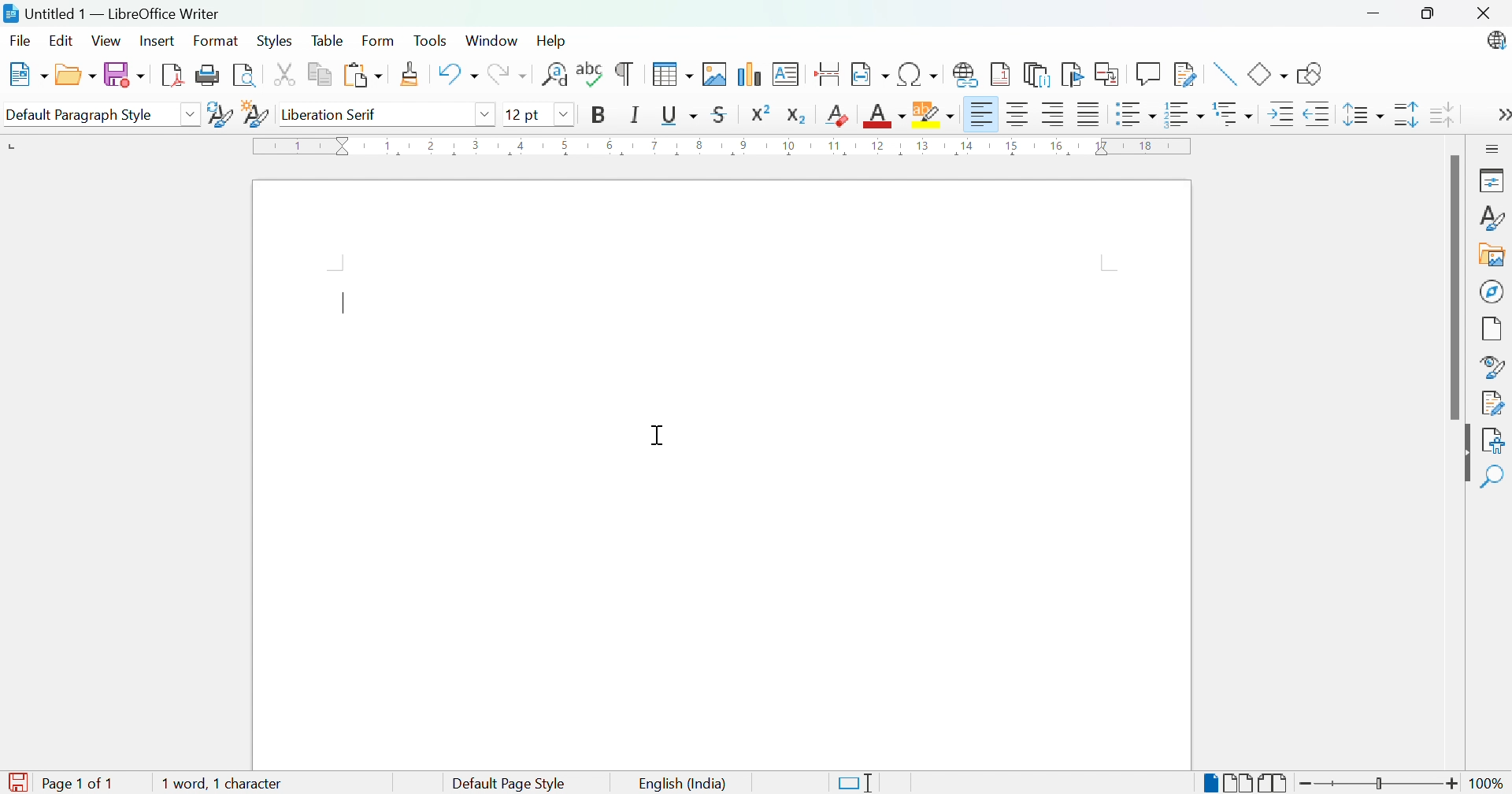 This screenshot has width=1512, height=794. Describe the element at coordinates (331, 115) in the screenshot. I see `Liberation serif` at that location.